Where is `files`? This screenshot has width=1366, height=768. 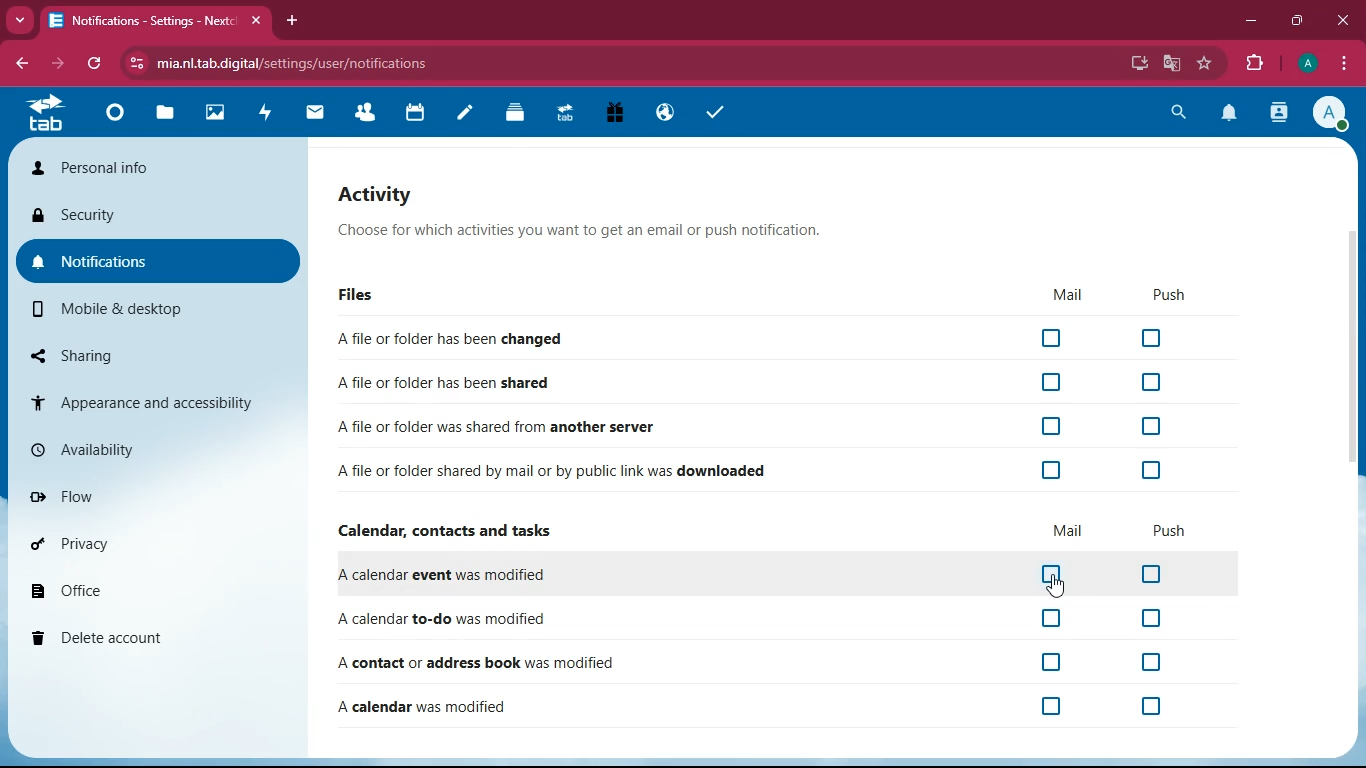 files is located at coordinates (167, 114).